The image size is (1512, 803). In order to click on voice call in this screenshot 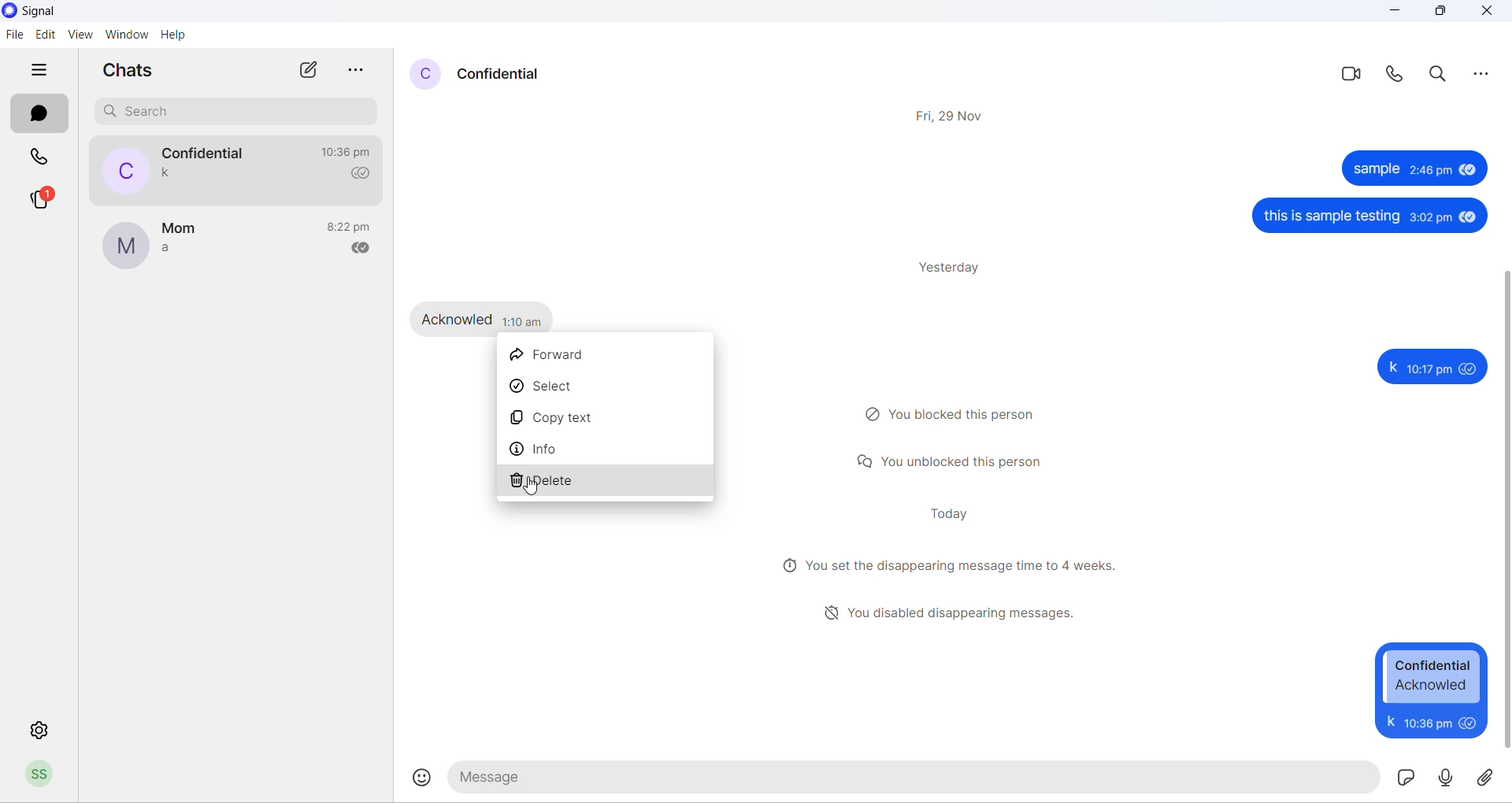, I will do `click(1393, 75)`.